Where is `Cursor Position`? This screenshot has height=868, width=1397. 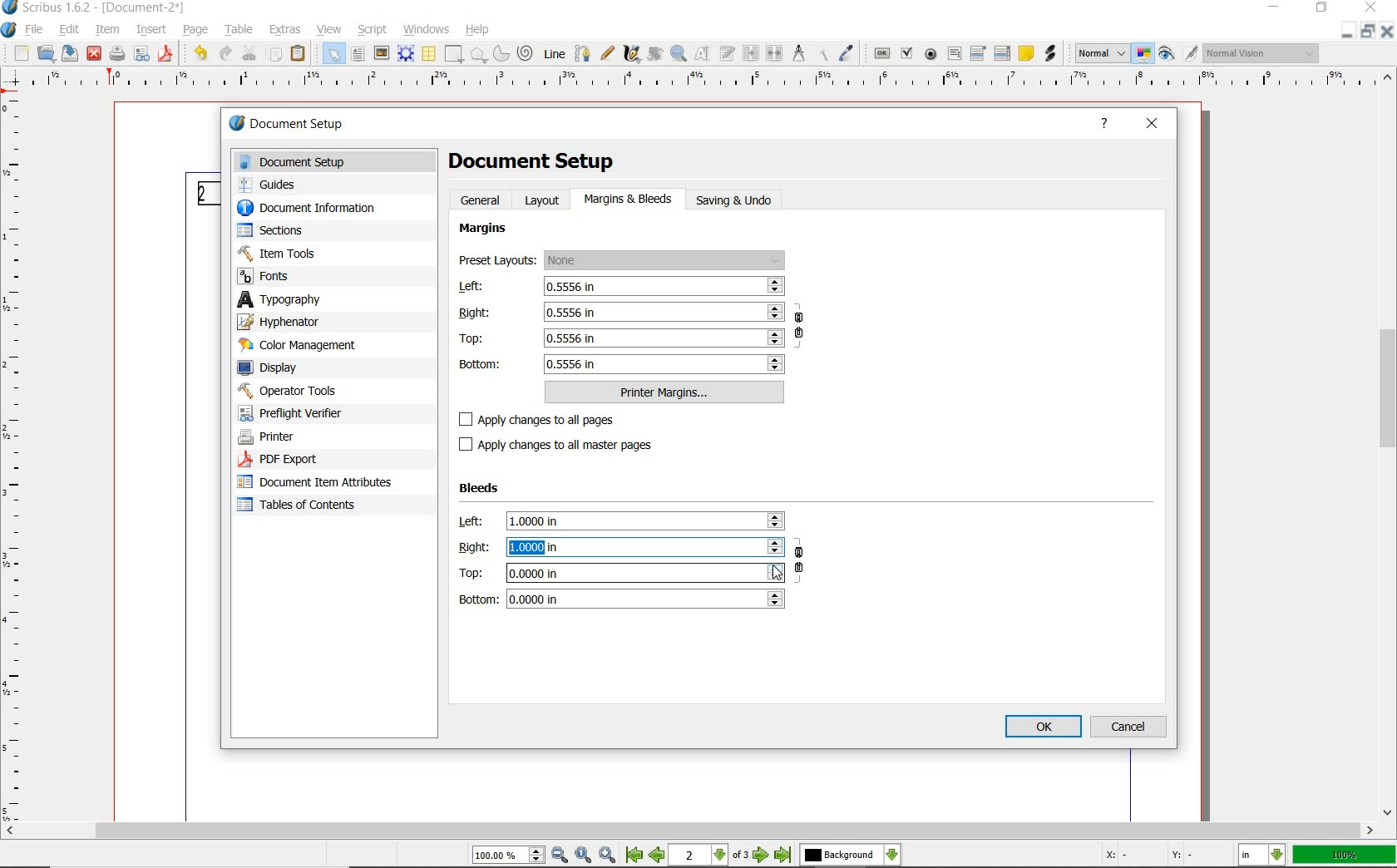 Cursor Position is located at coordinates (776, 572).